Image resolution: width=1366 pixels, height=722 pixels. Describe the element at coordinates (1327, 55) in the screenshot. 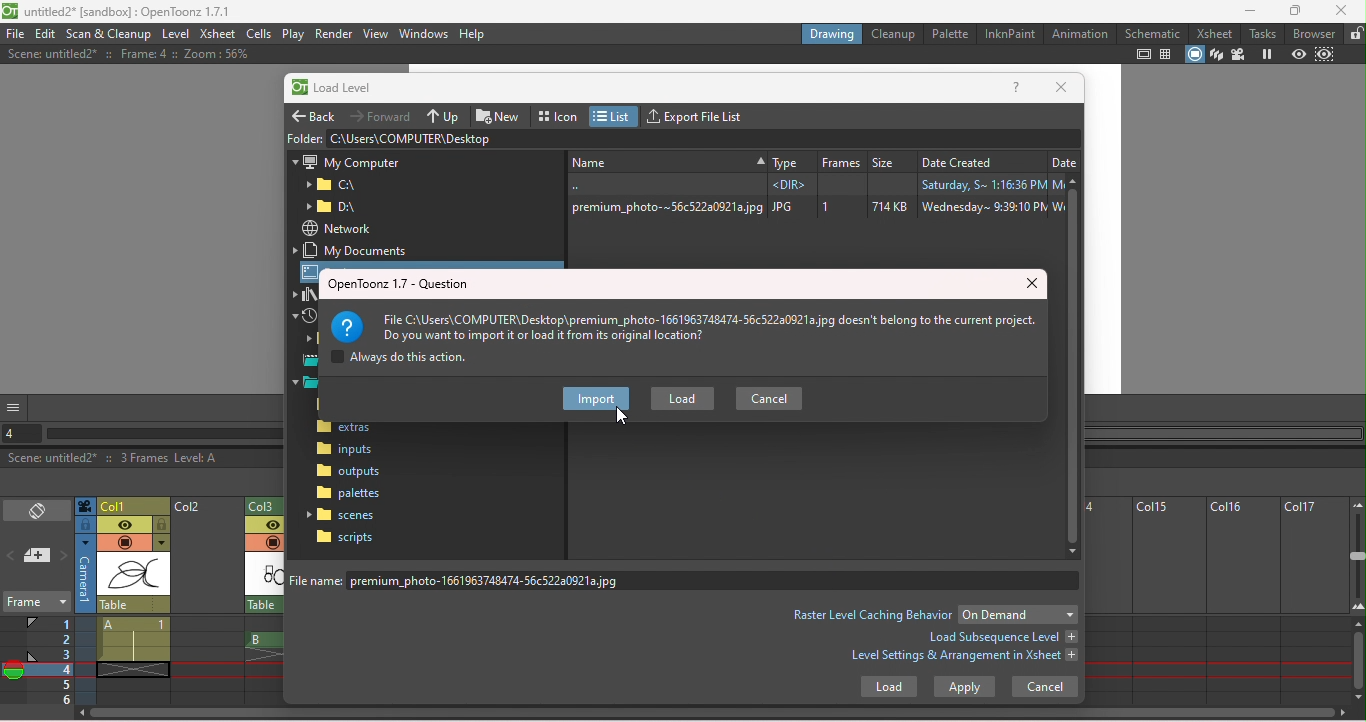

I see `Sub-camera` at that location.